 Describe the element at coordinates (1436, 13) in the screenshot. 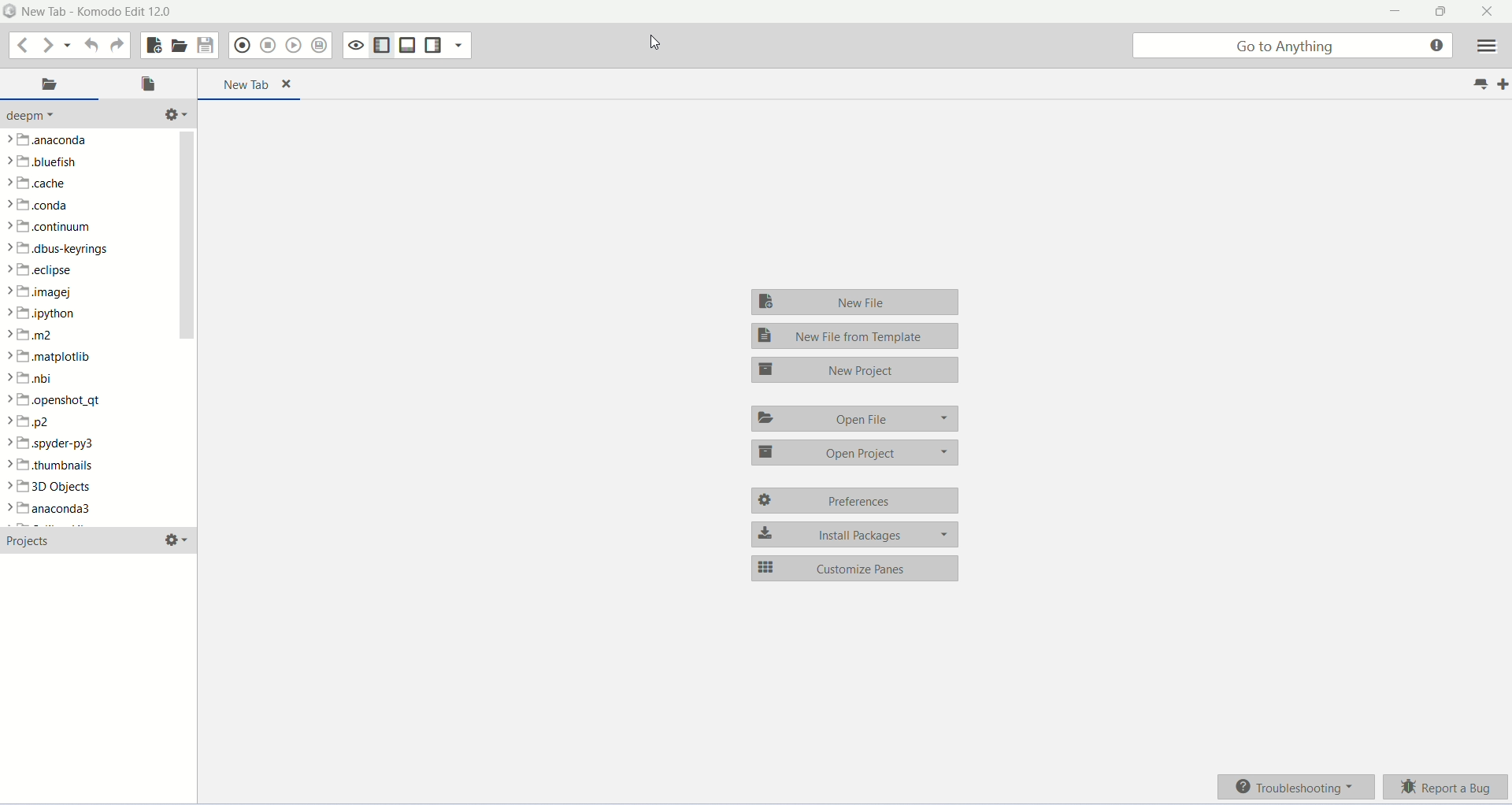

I see `maximize` at that location.